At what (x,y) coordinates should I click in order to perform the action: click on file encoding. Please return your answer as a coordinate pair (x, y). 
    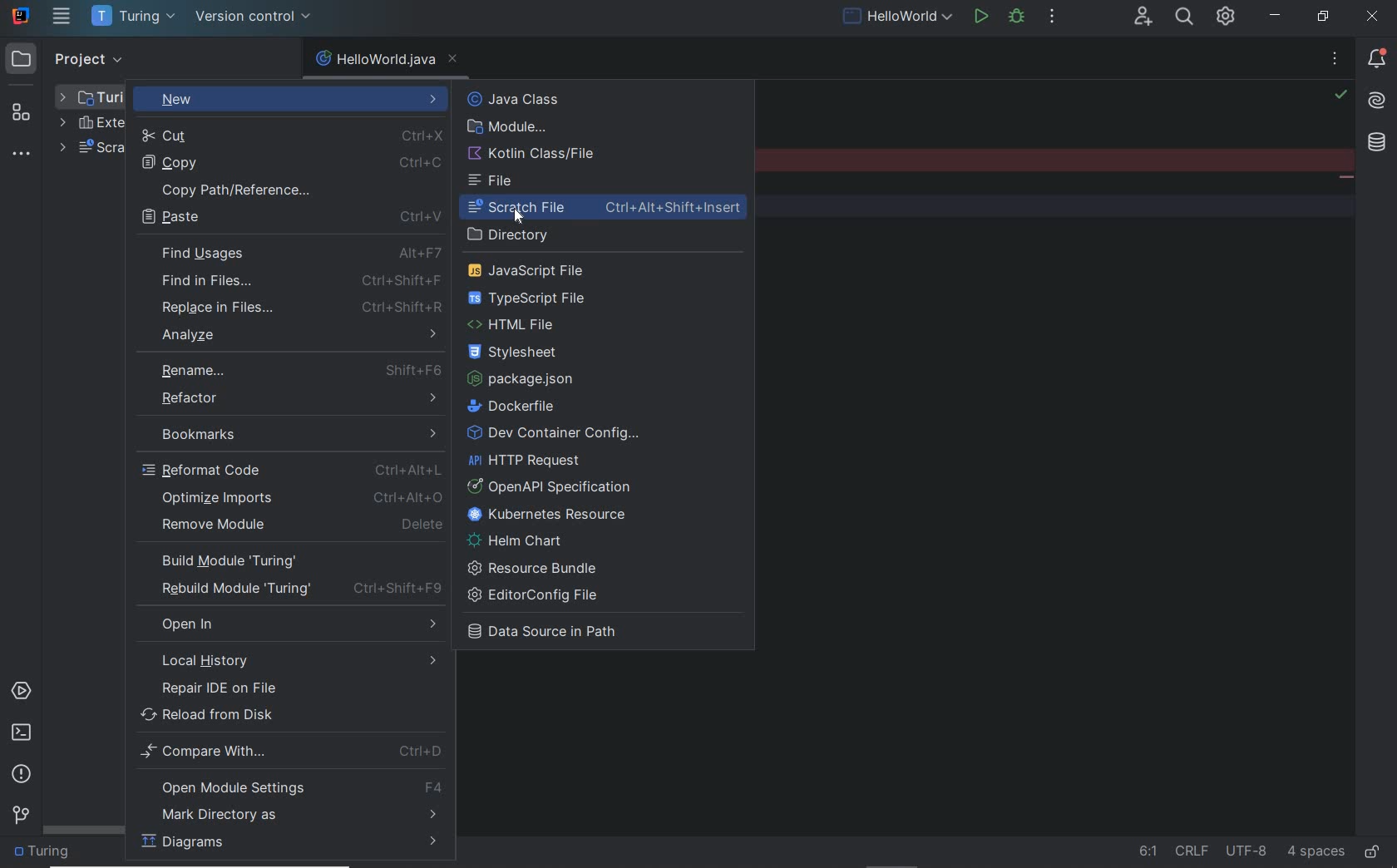
    Looking at the image, I should click on (1246, 851).